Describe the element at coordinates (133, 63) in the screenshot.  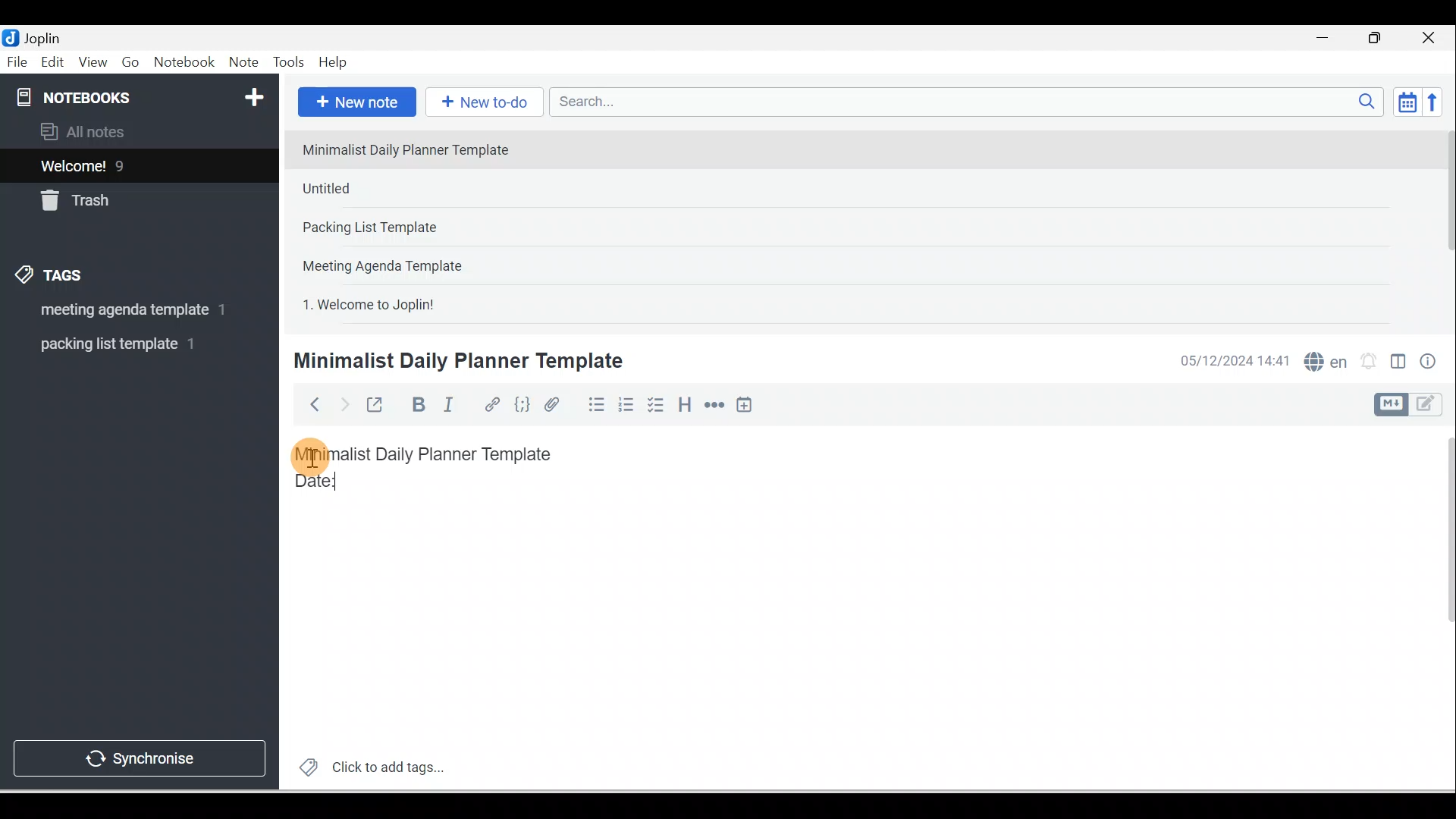
I see `Go` at that location.